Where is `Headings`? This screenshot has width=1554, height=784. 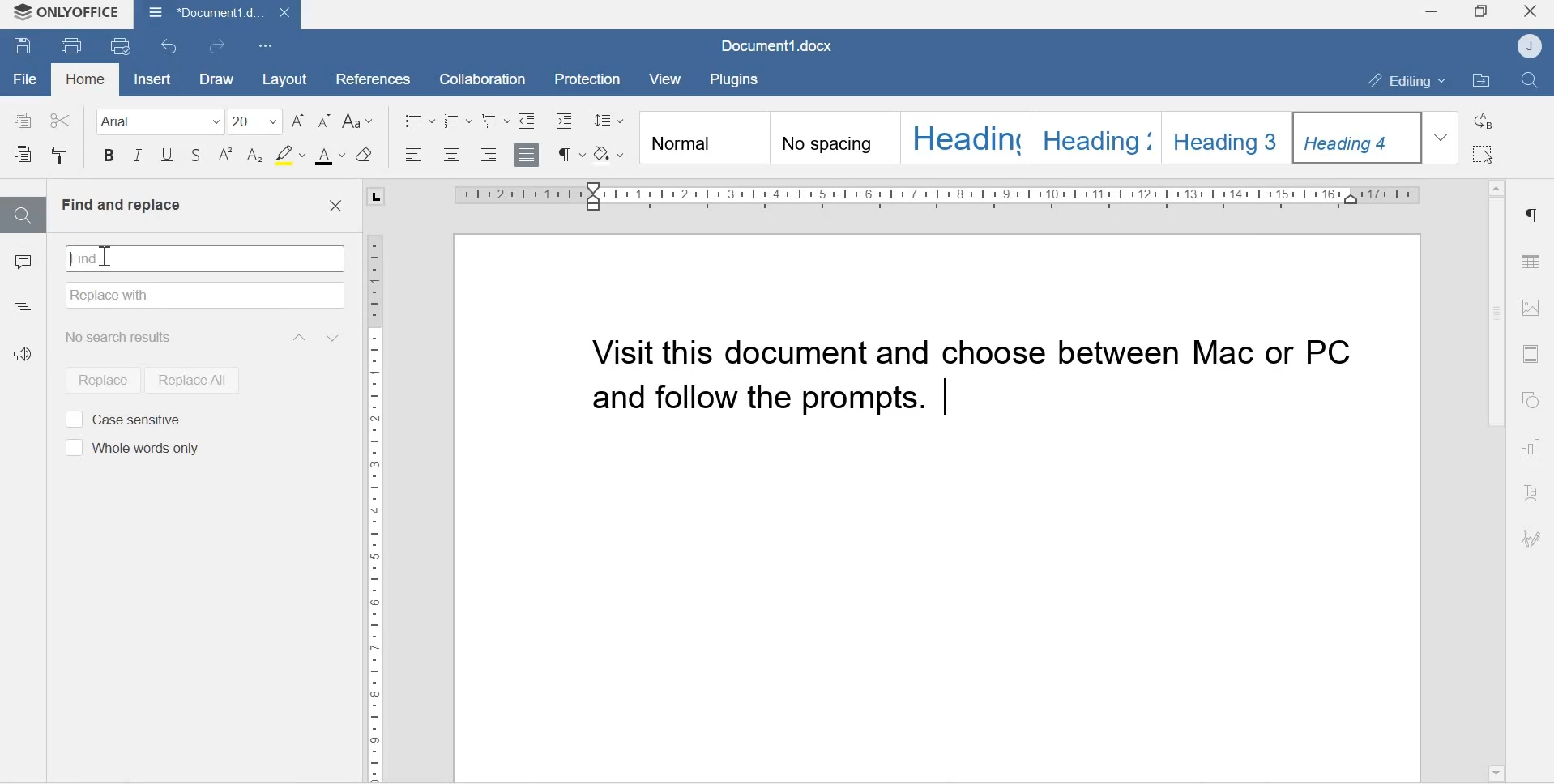
Headings is located at coordinates (23, 306).